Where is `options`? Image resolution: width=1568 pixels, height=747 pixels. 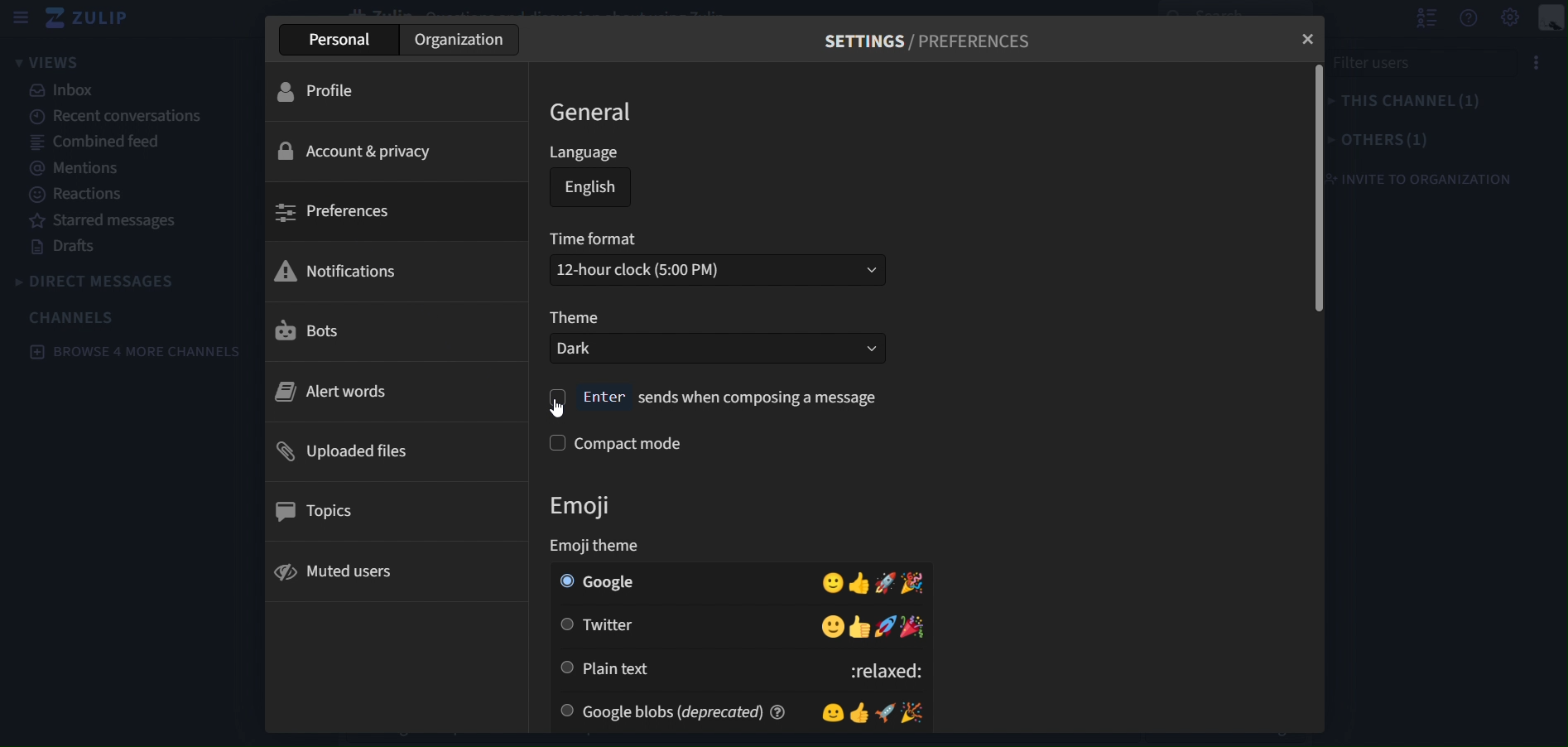 options is located at coordinates (1546, 62).